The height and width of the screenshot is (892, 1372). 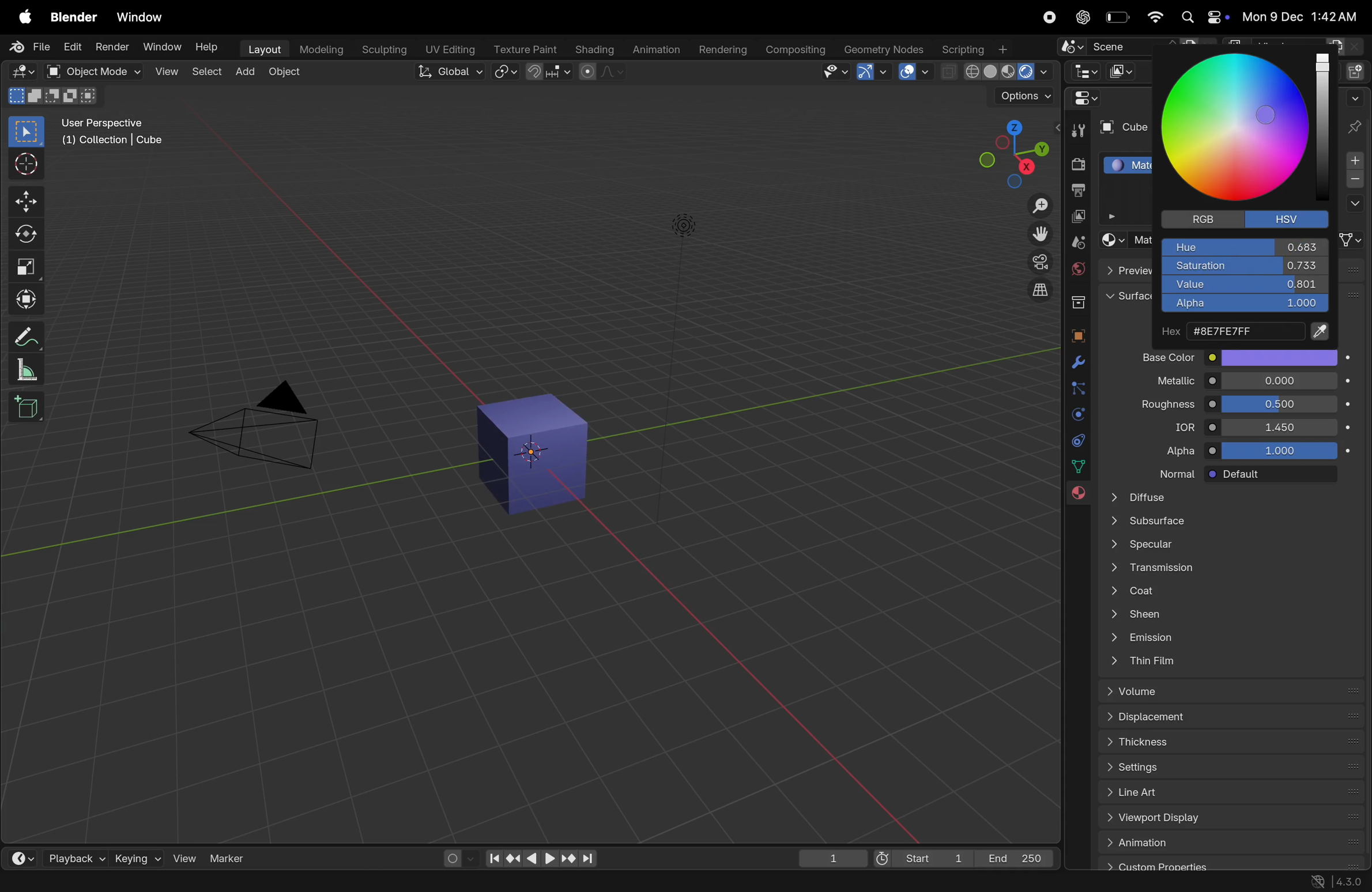 What do you see at coordinates (140, 18) in the screenshot?
I see `Window` at bounding box center [140, 18].